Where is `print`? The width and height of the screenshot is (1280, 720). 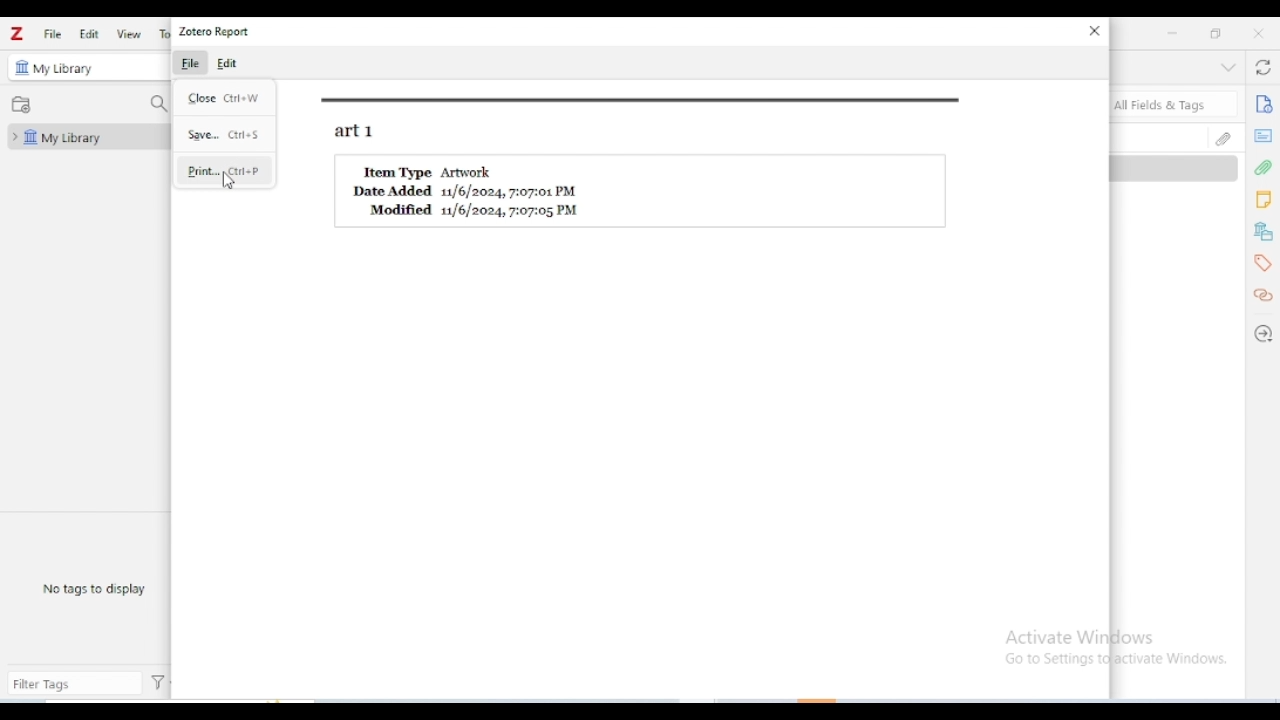
print is located at coordinates (201, 172).